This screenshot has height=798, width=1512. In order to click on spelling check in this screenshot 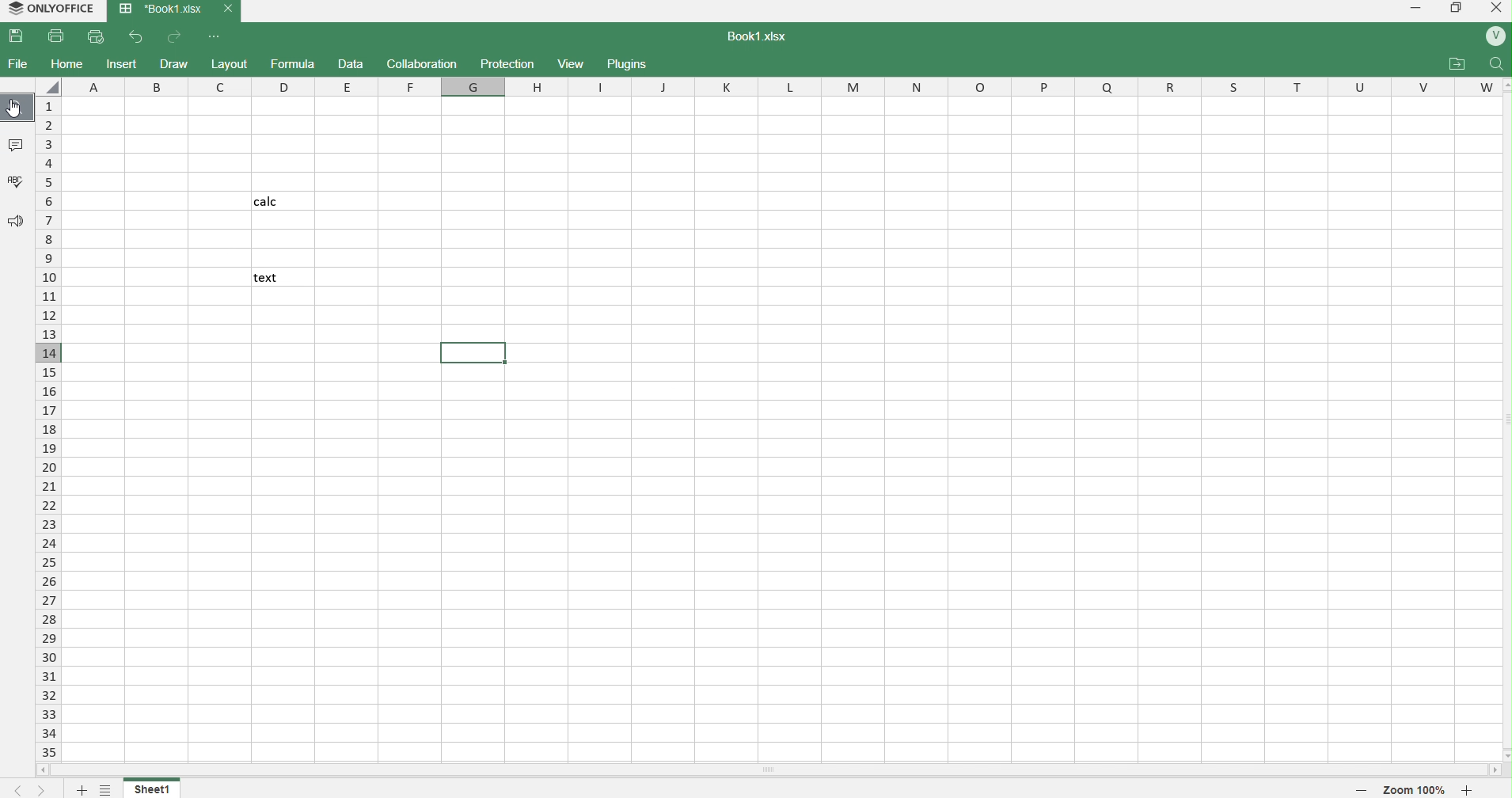, I will do `click(17, 182)`.